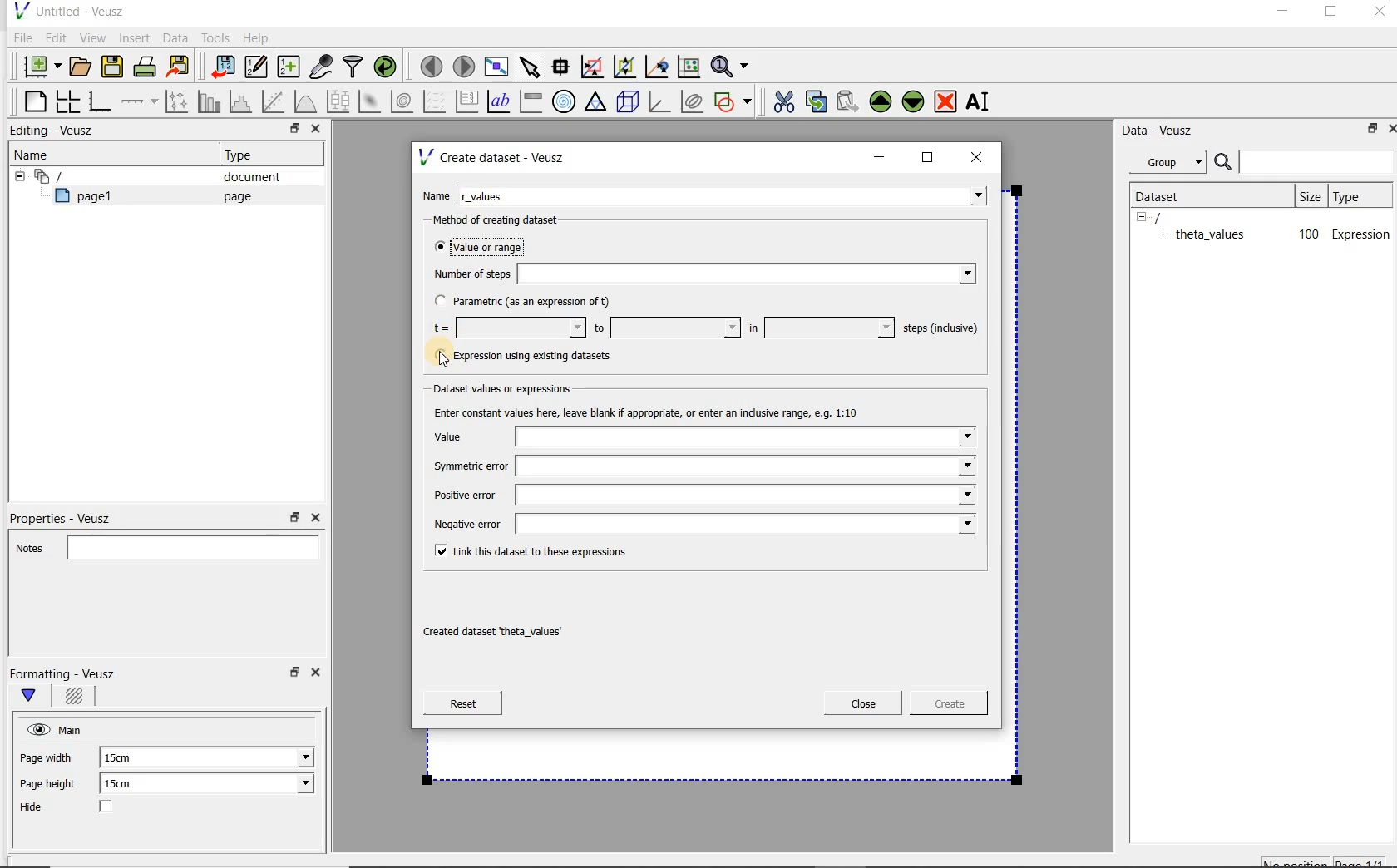 Image resolution: width=1397 pixels, height=868 pixels. I want to click on /document name, so click(1172, 216).